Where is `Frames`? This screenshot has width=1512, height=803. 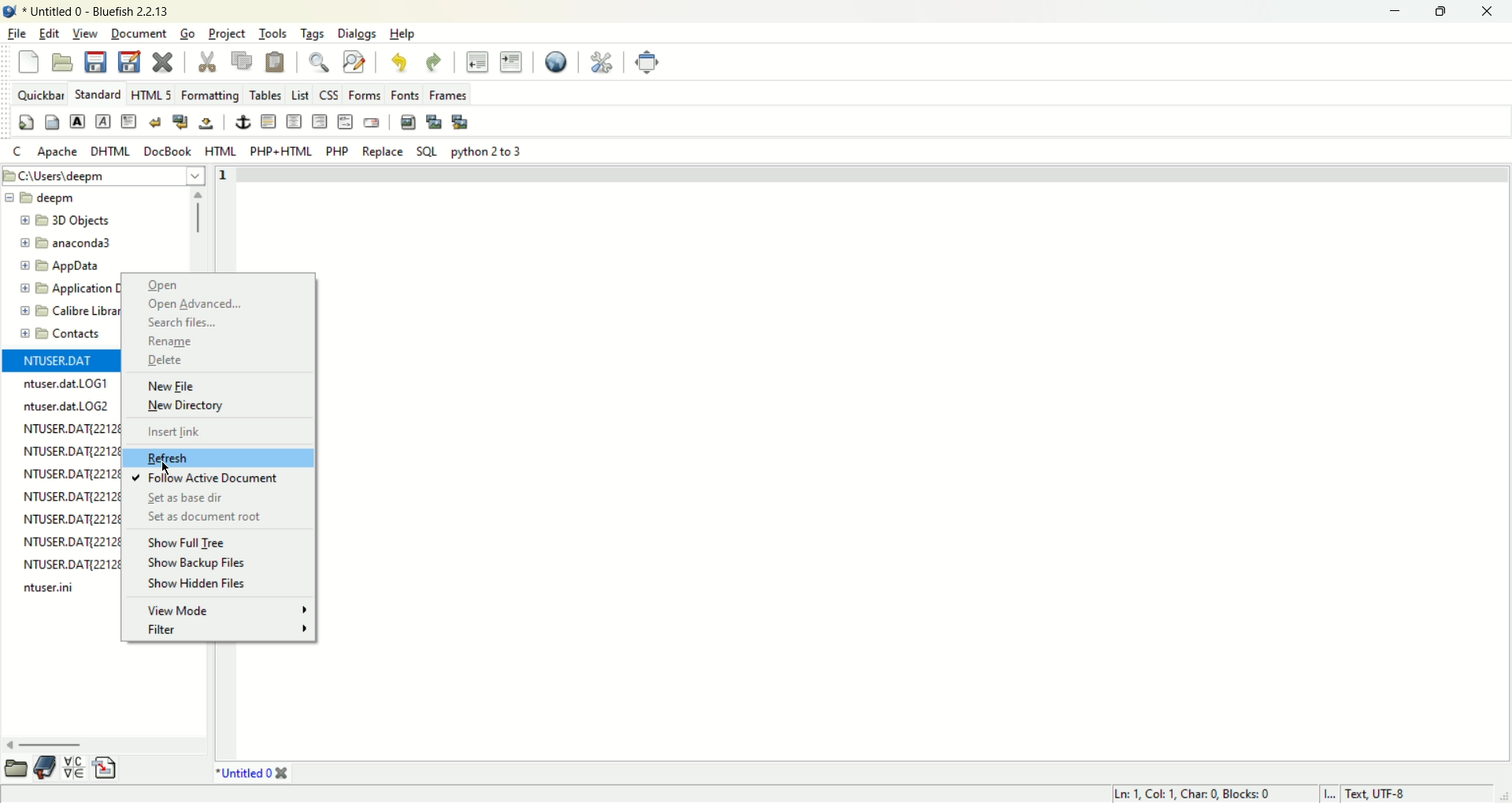
Frames is located at coordinates (447, 95).